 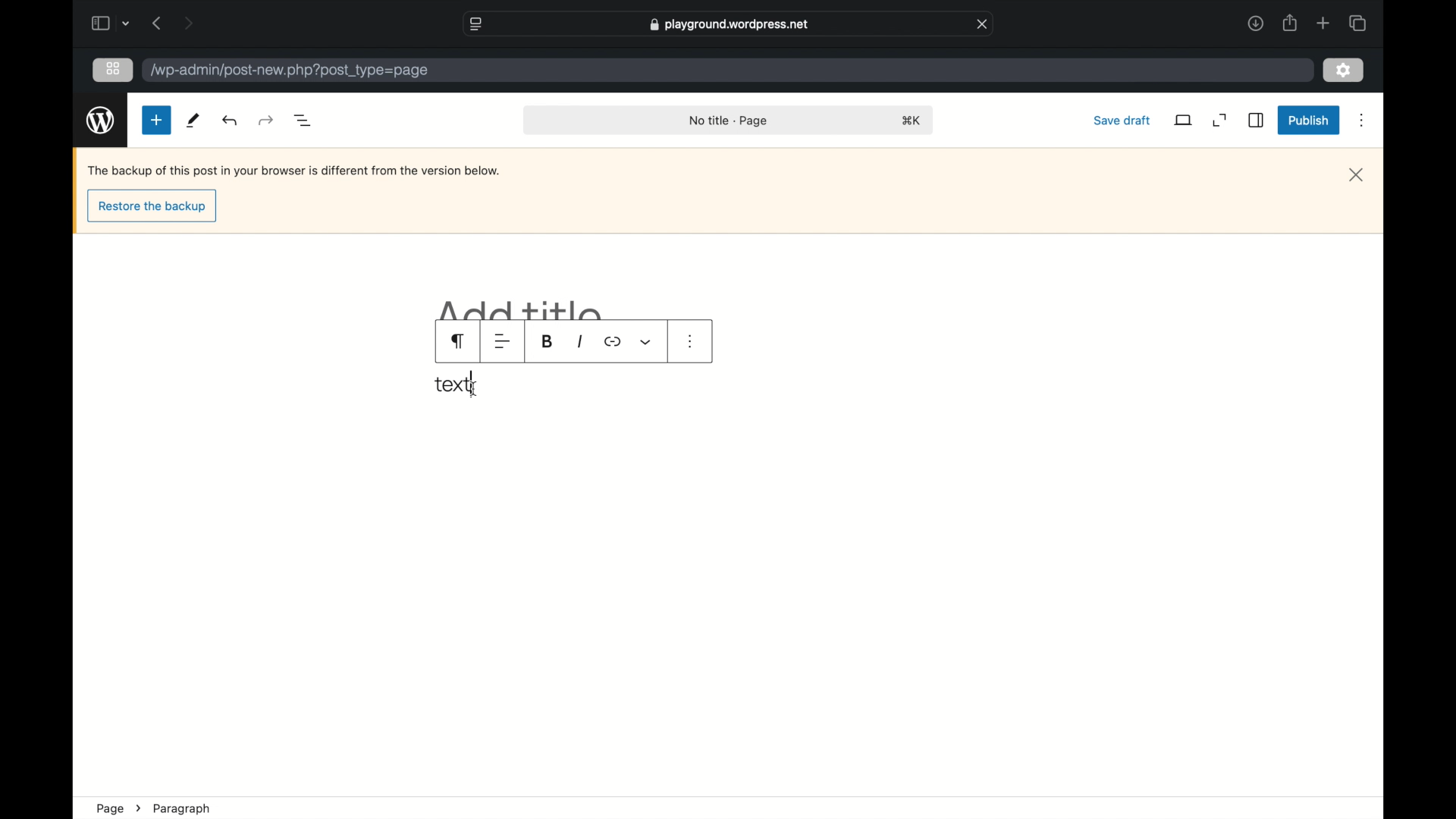 What do you see at coordinates (452, 384) in the screenshot?
I see `text` at bounding box center [452, 384].